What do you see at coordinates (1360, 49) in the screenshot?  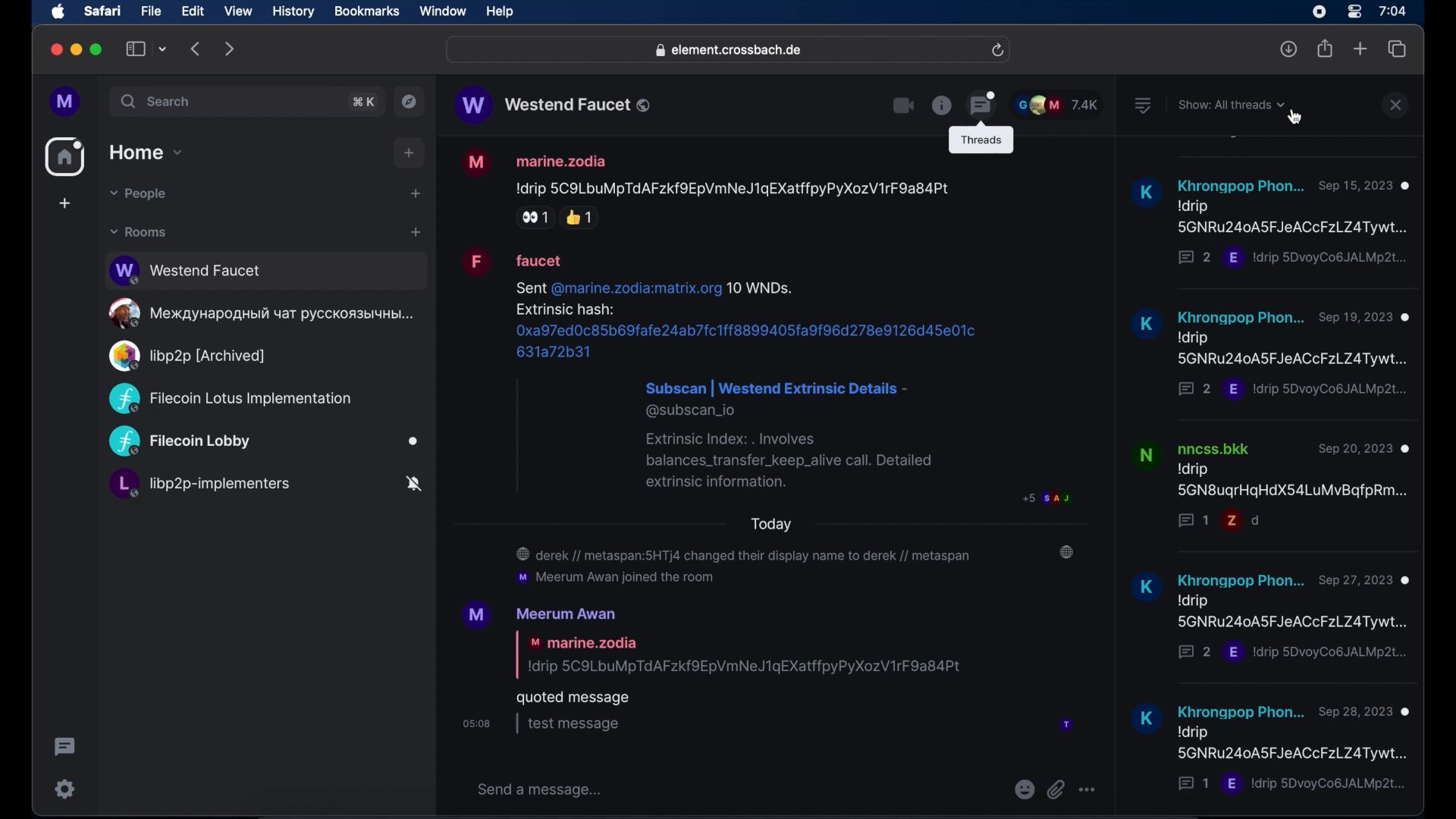 I see `new tab` at bounding box center [1360, 49].